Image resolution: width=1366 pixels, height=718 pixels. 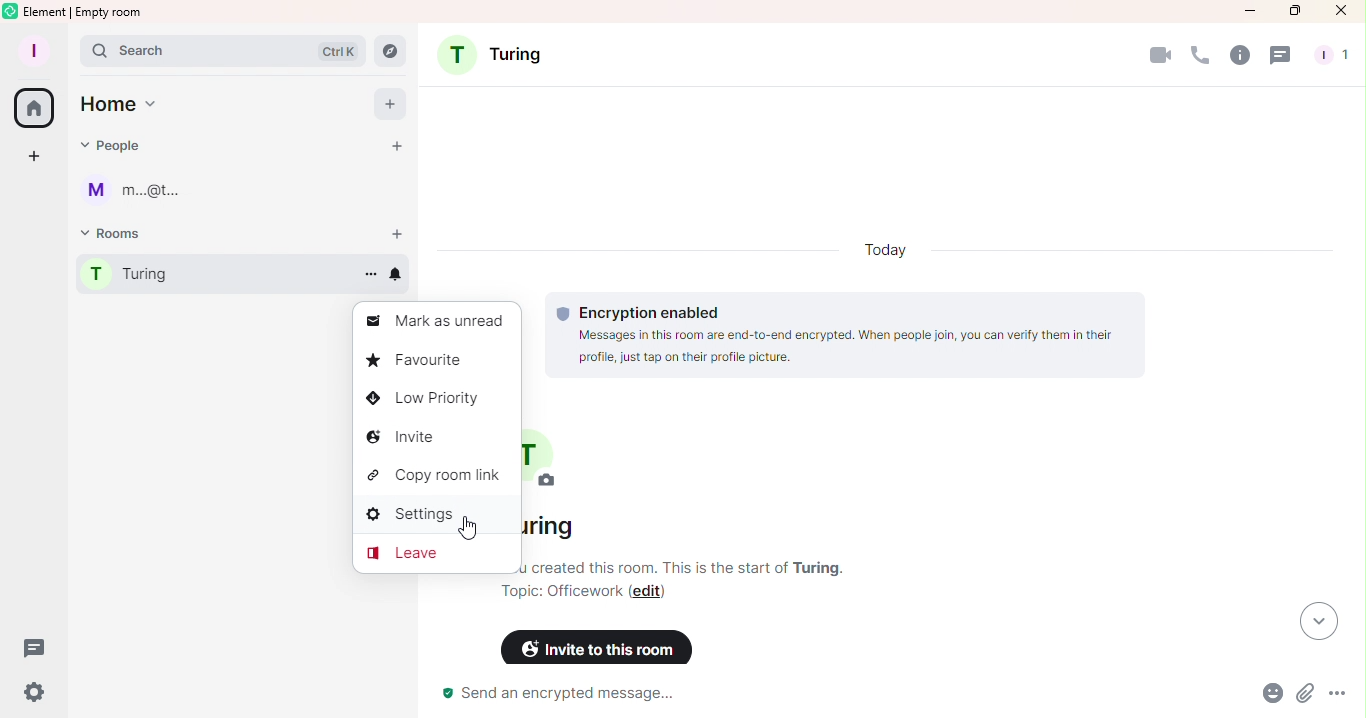 What do you see at coordinates (1337, 11) in the screenshot?
I see `Close` at bounding box center [1337, 11].